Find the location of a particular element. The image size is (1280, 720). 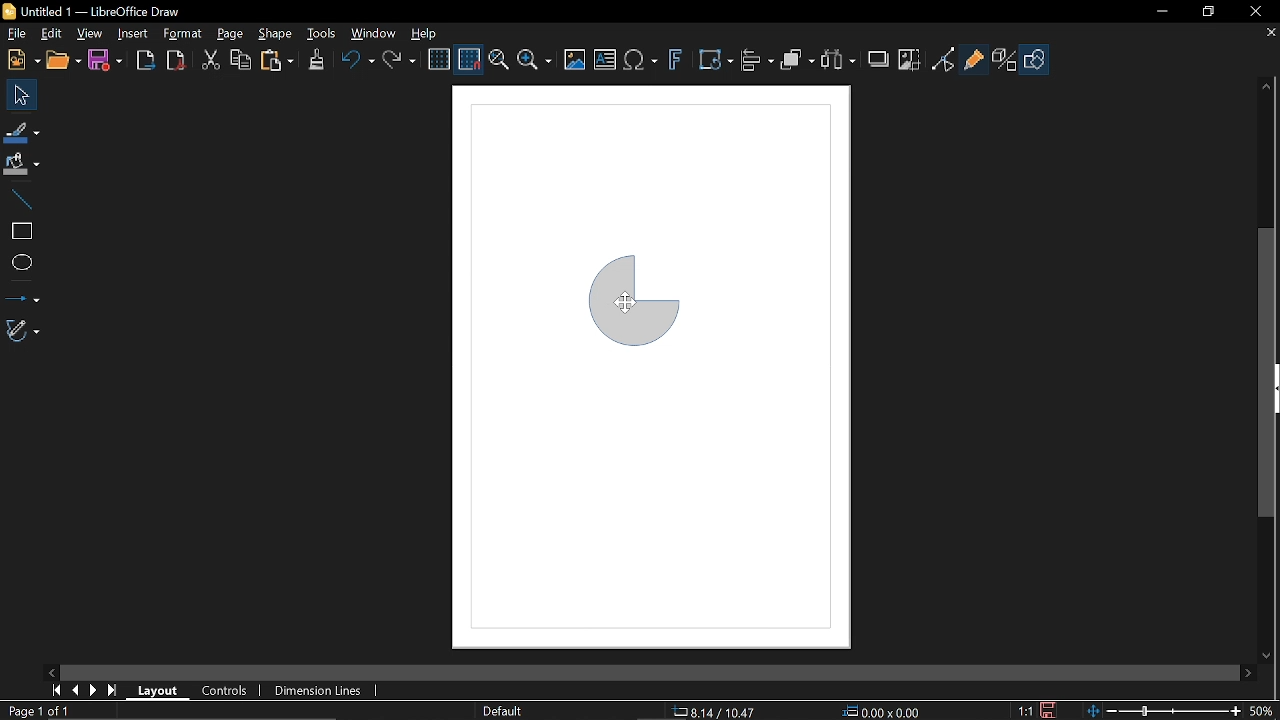

Fill color is located at coordinates (22, 166).